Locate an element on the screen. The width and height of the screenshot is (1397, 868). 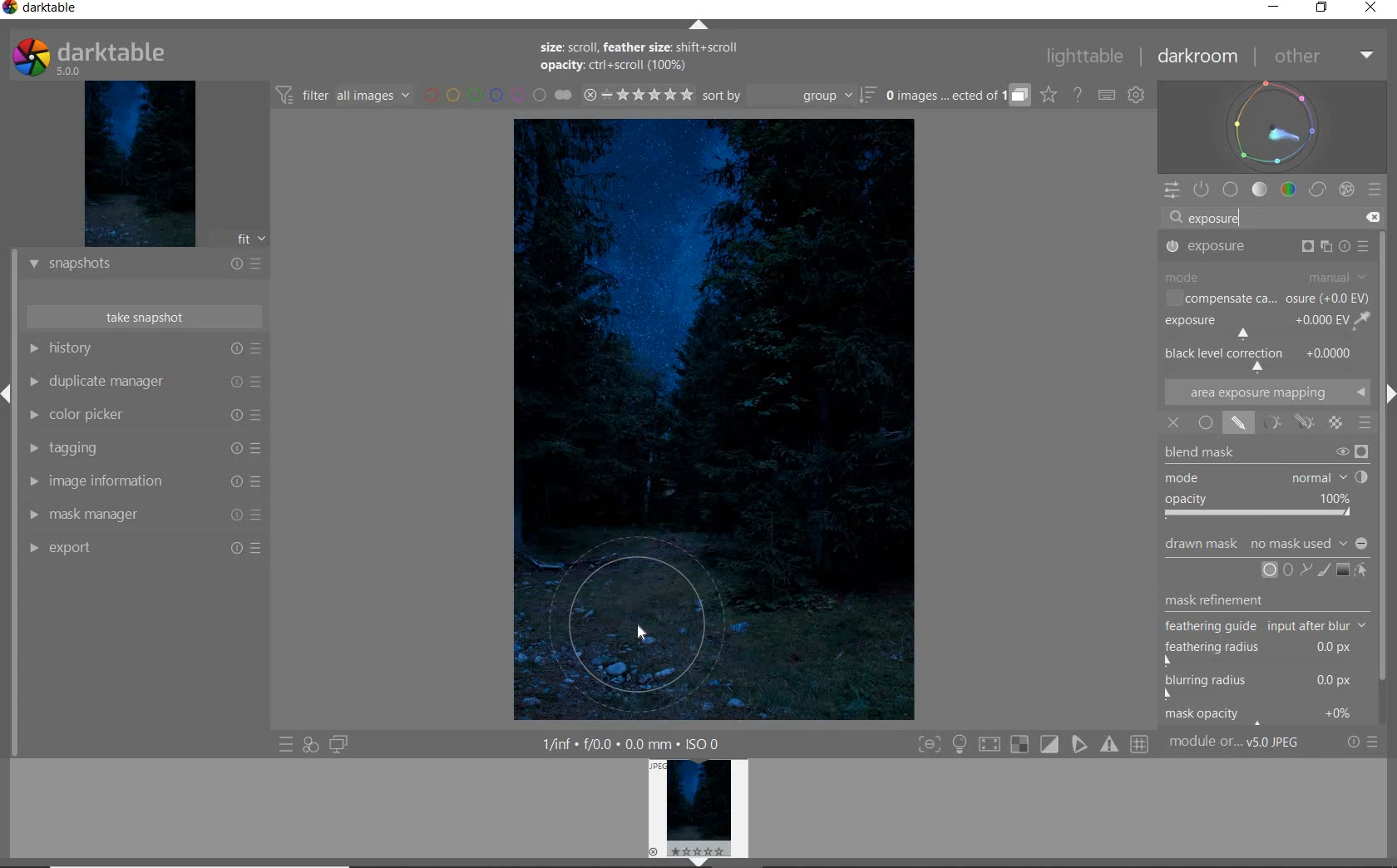
SHOW ONLY ACTIVE MODULES is located at coordinates (1202, 190).